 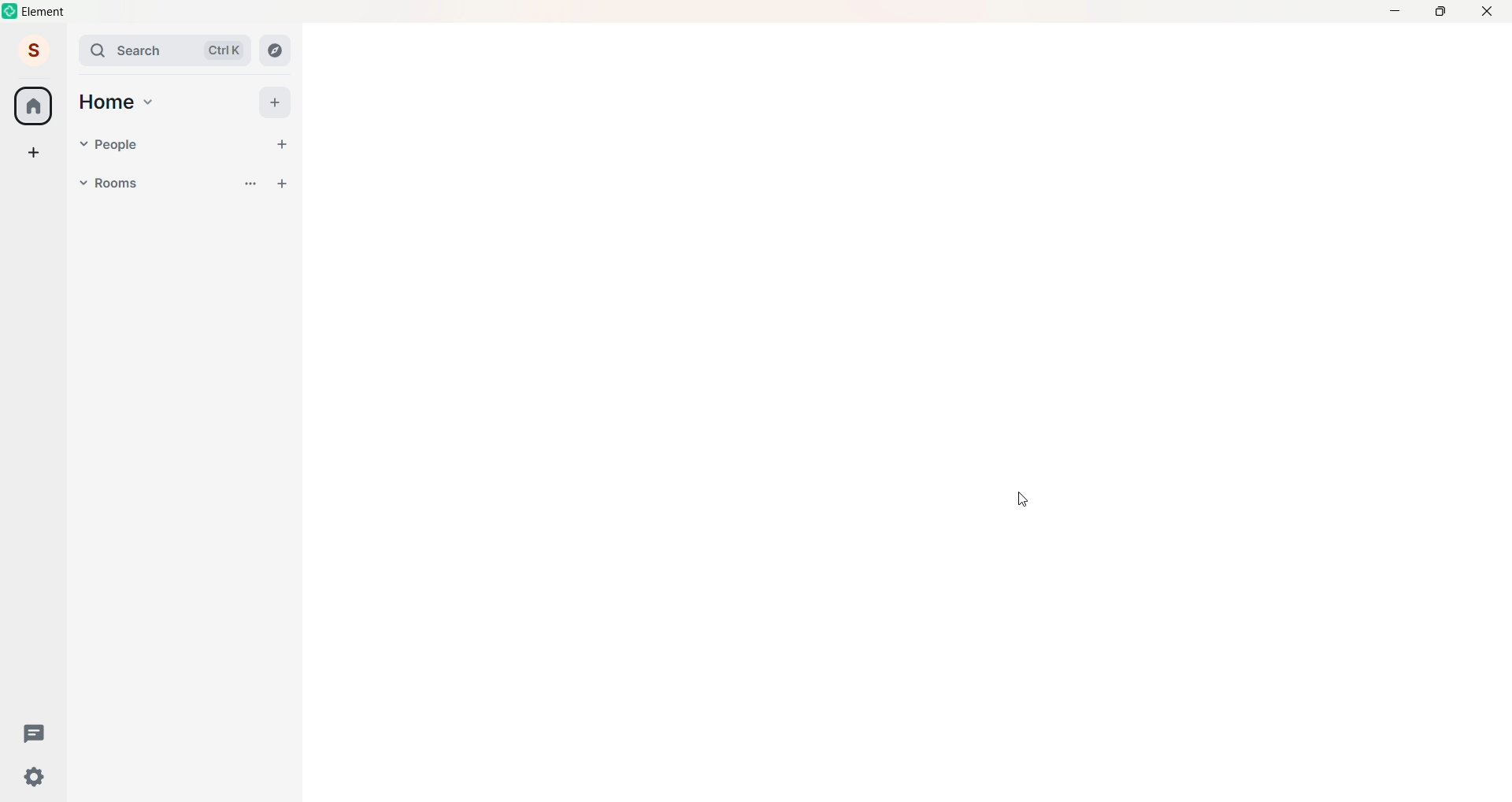 I want to click on Cursor, so click(x=1025, y=502).